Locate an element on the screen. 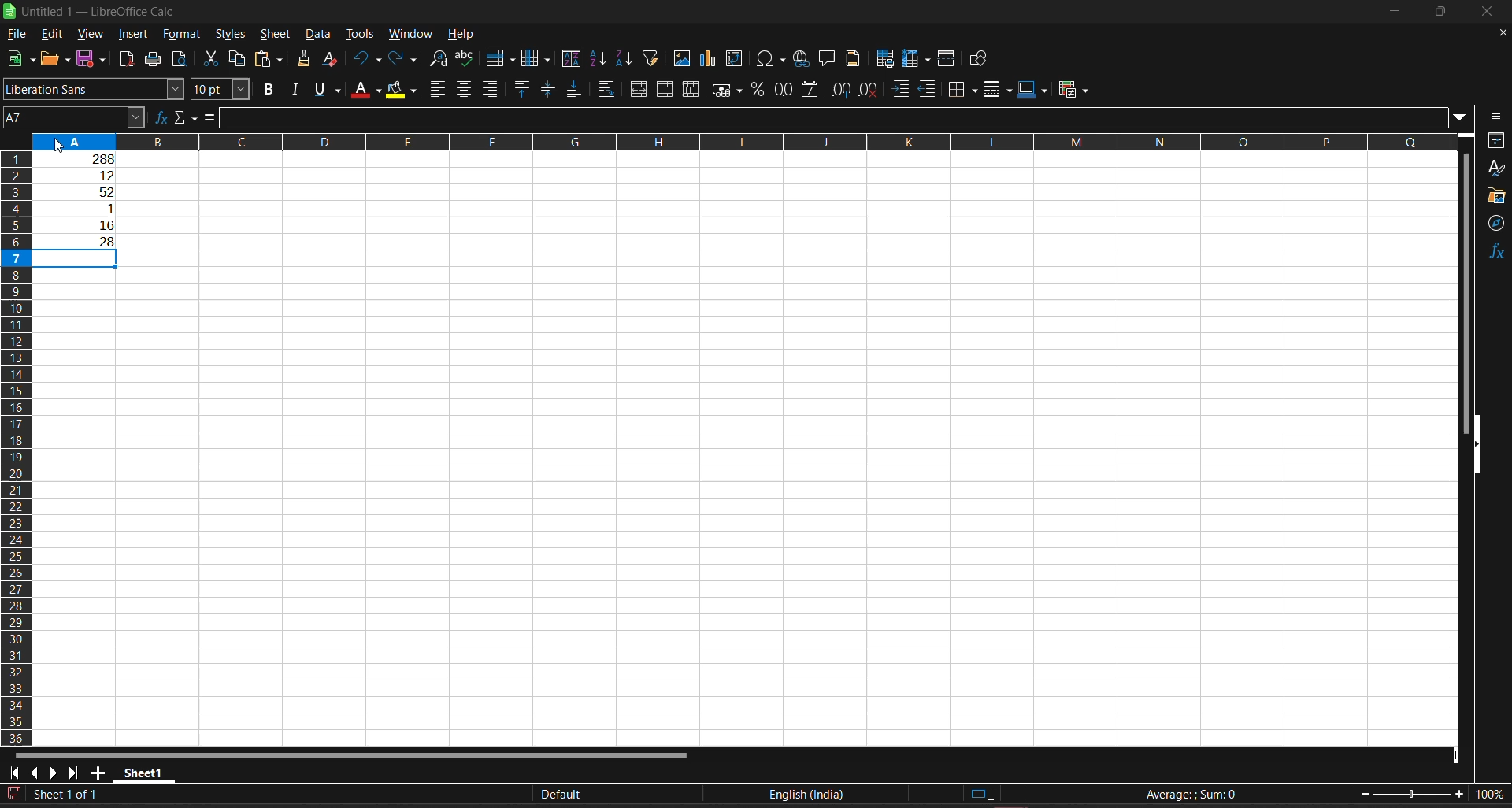  text language is located at coordinates (807, 793).